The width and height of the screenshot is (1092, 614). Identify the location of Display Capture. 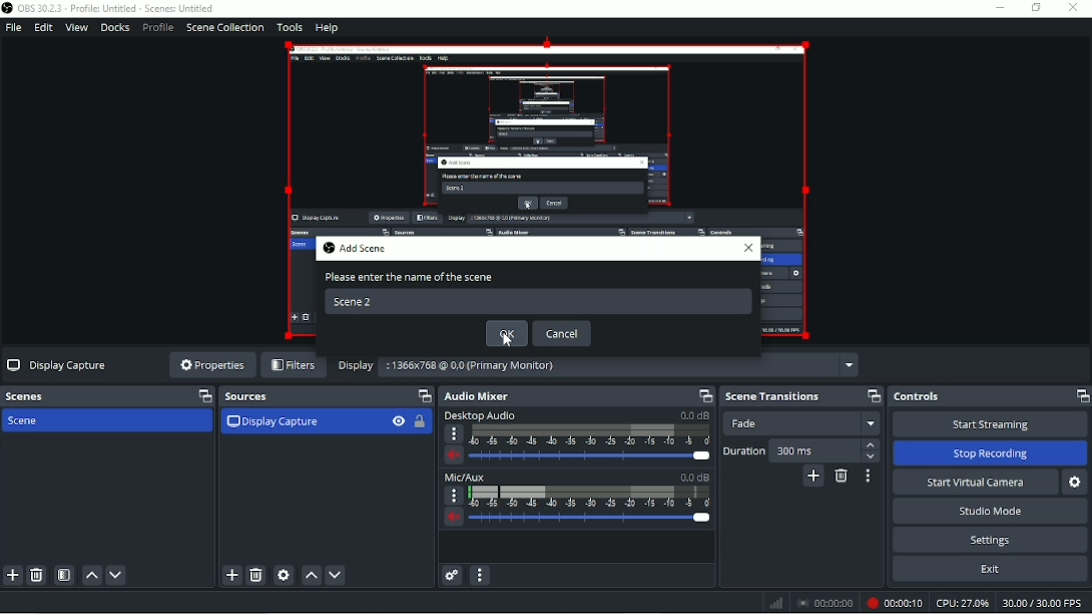
(58, 364).